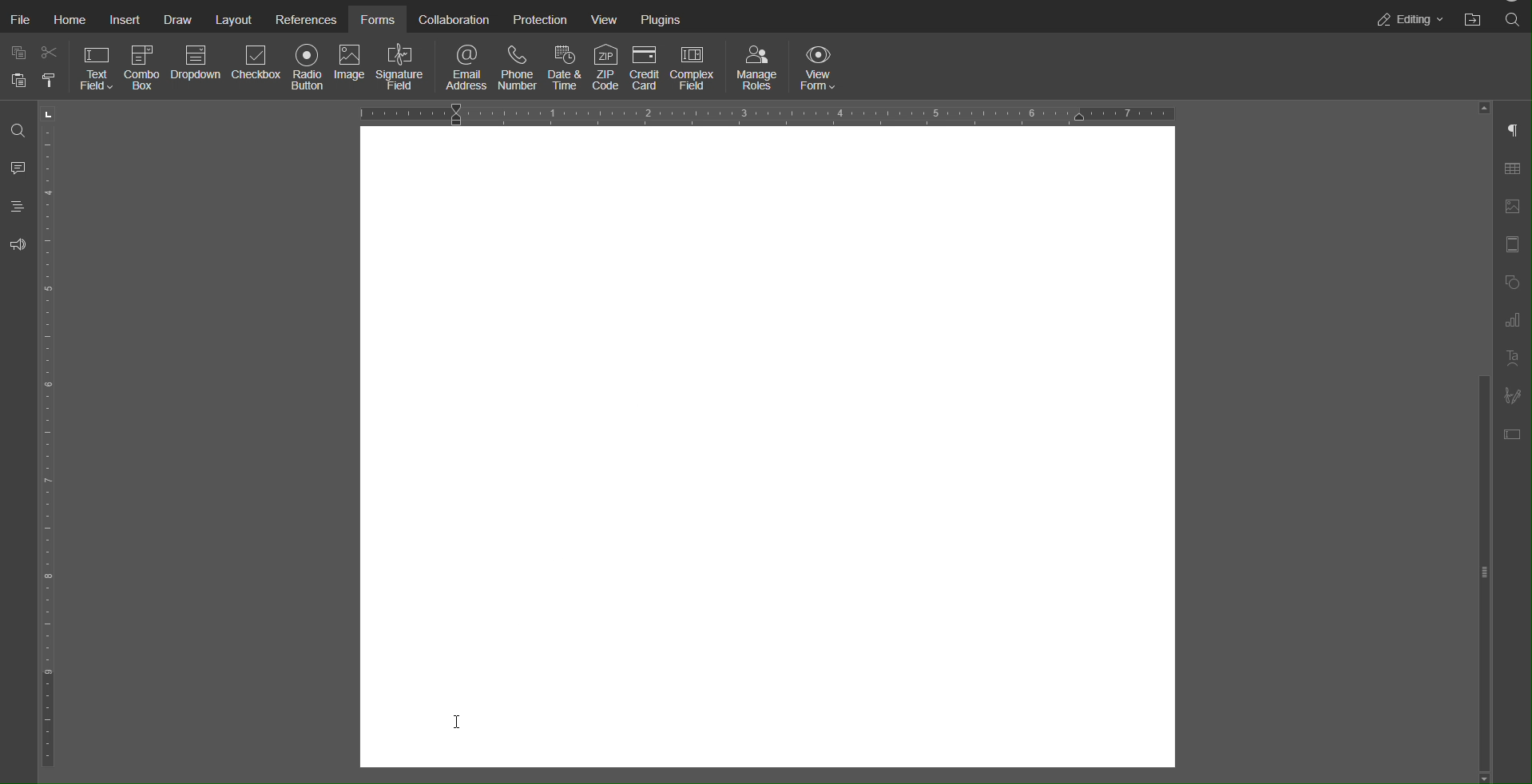  What do you see at coordinates (18, 245) in the screenshot?
I see `Feedback and Support` at bounding box center [18, 245].